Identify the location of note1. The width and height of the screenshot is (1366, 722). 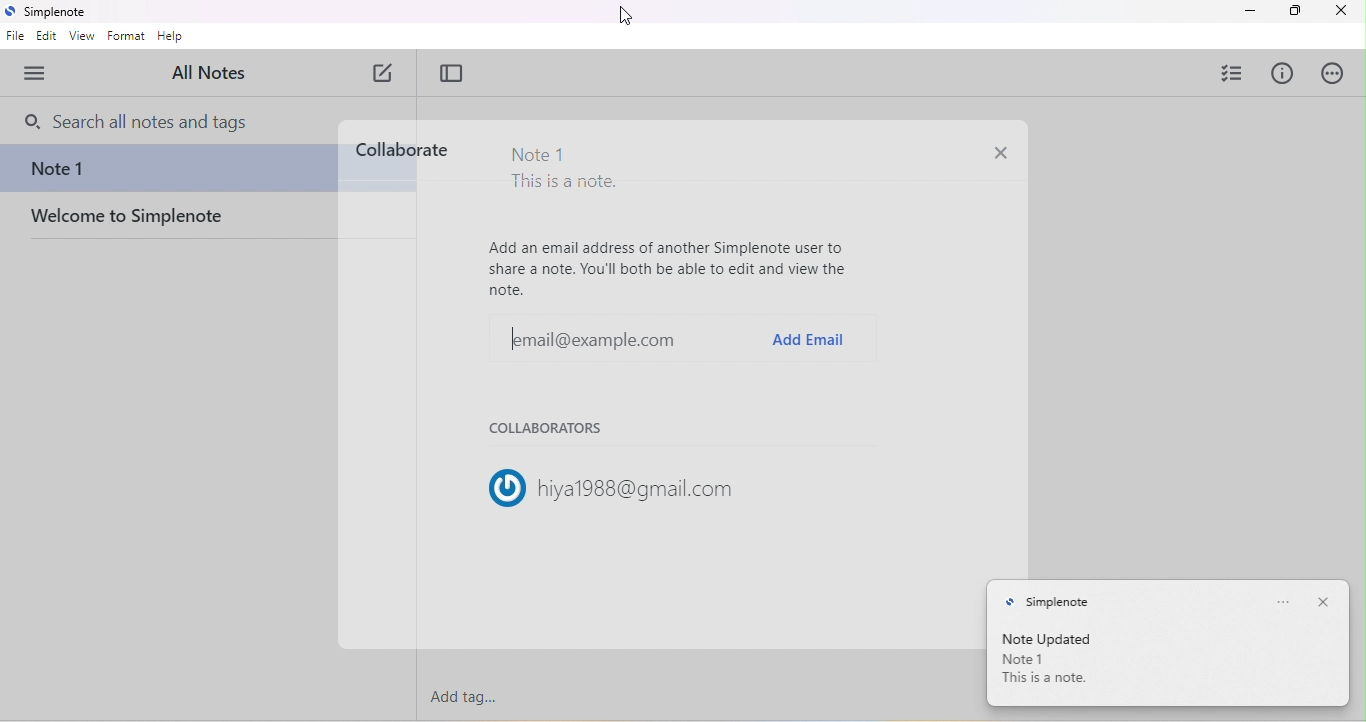
(1025, 660).